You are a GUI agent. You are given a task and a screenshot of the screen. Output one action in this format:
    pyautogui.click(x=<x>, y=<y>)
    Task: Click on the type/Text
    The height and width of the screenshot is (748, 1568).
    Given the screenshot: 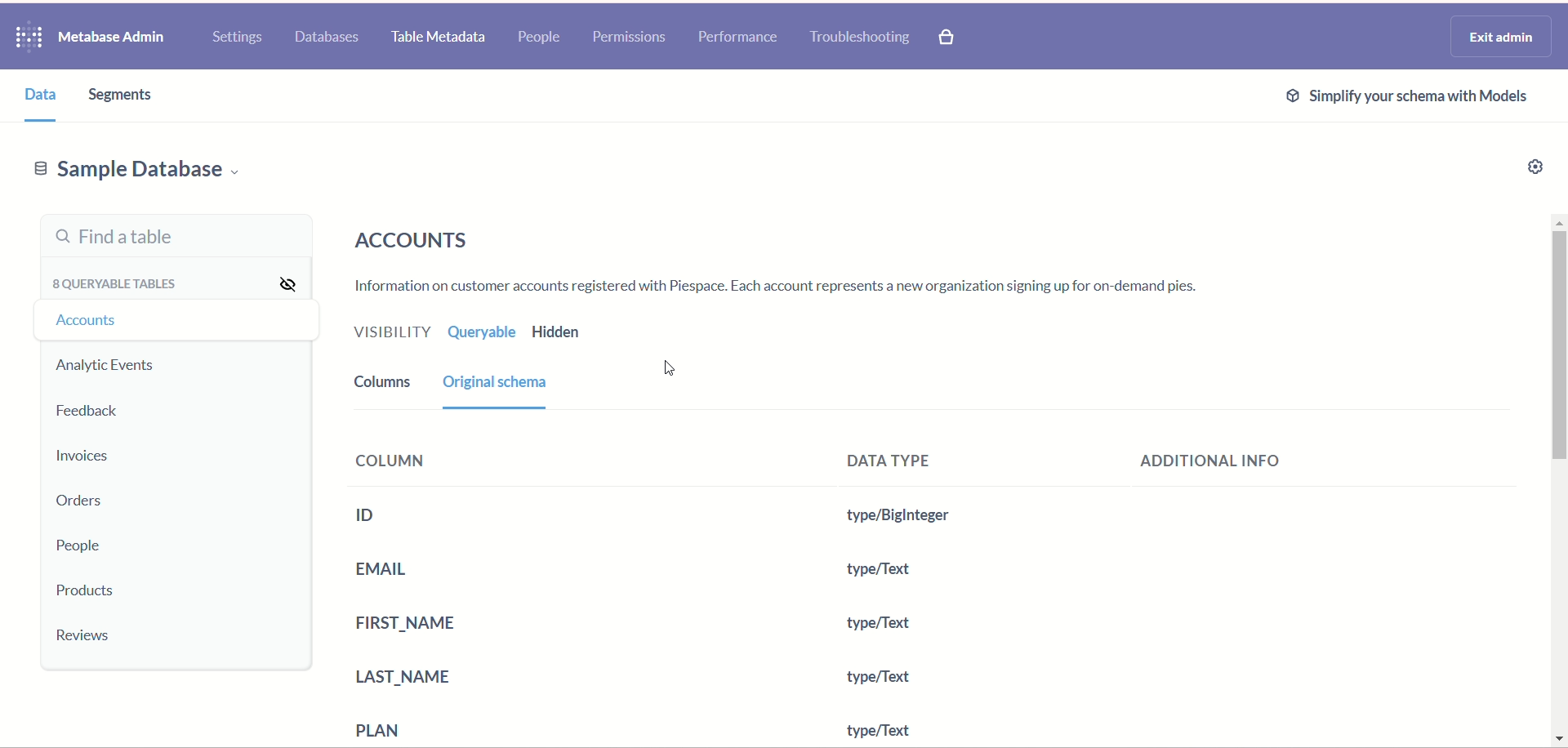 What is the action you would take?
    pyautogui.click(x=877, y=730)
    